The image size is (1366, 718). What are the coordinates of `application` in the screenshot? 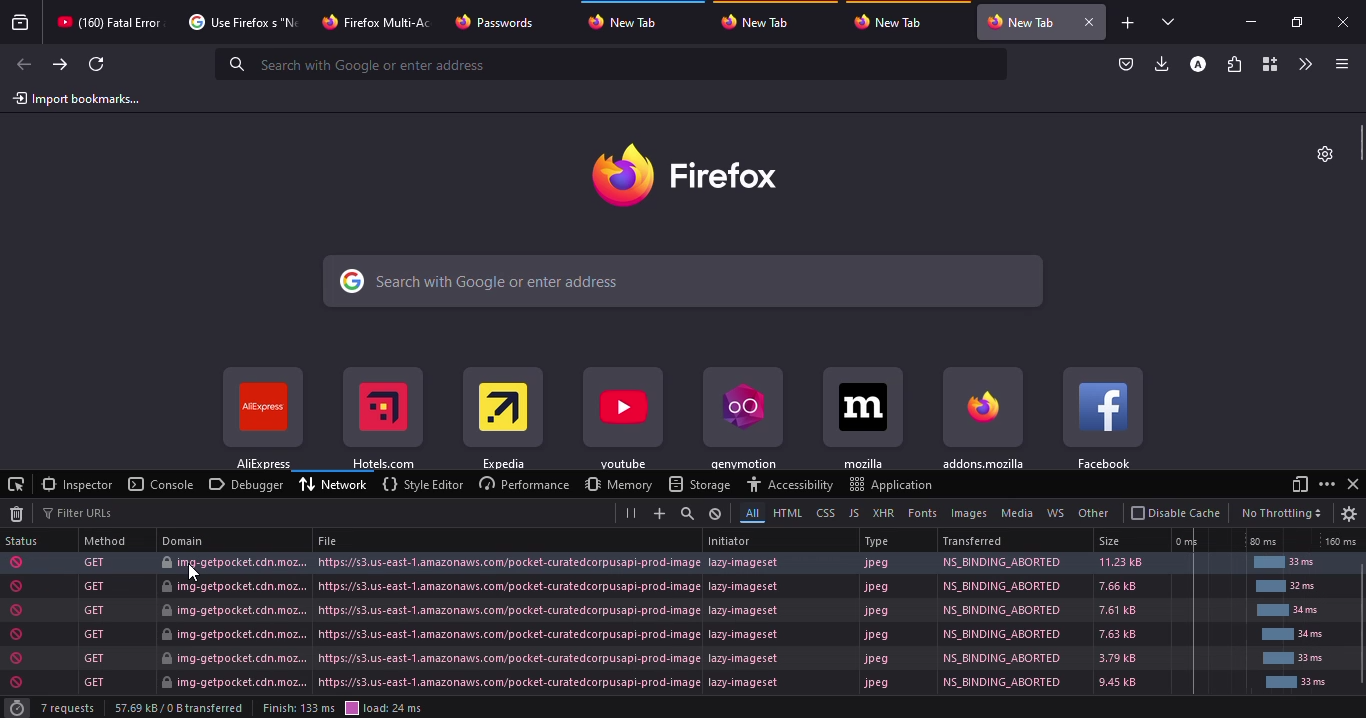 It's located at (891, 484).